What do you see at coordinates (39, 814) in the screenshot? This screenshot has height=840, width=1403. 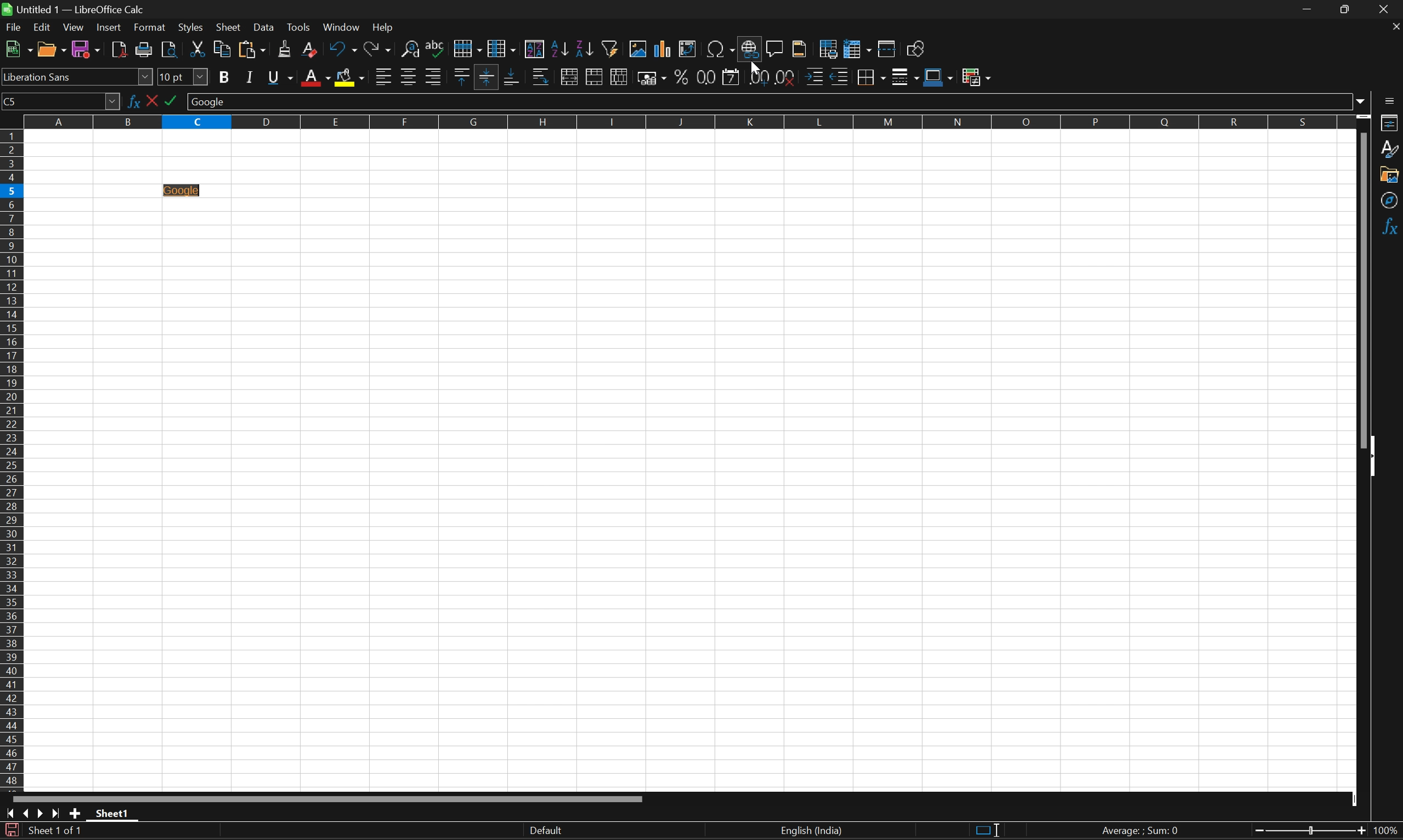 I see `Scroll to next sheet` at bounding box center [39, 814].